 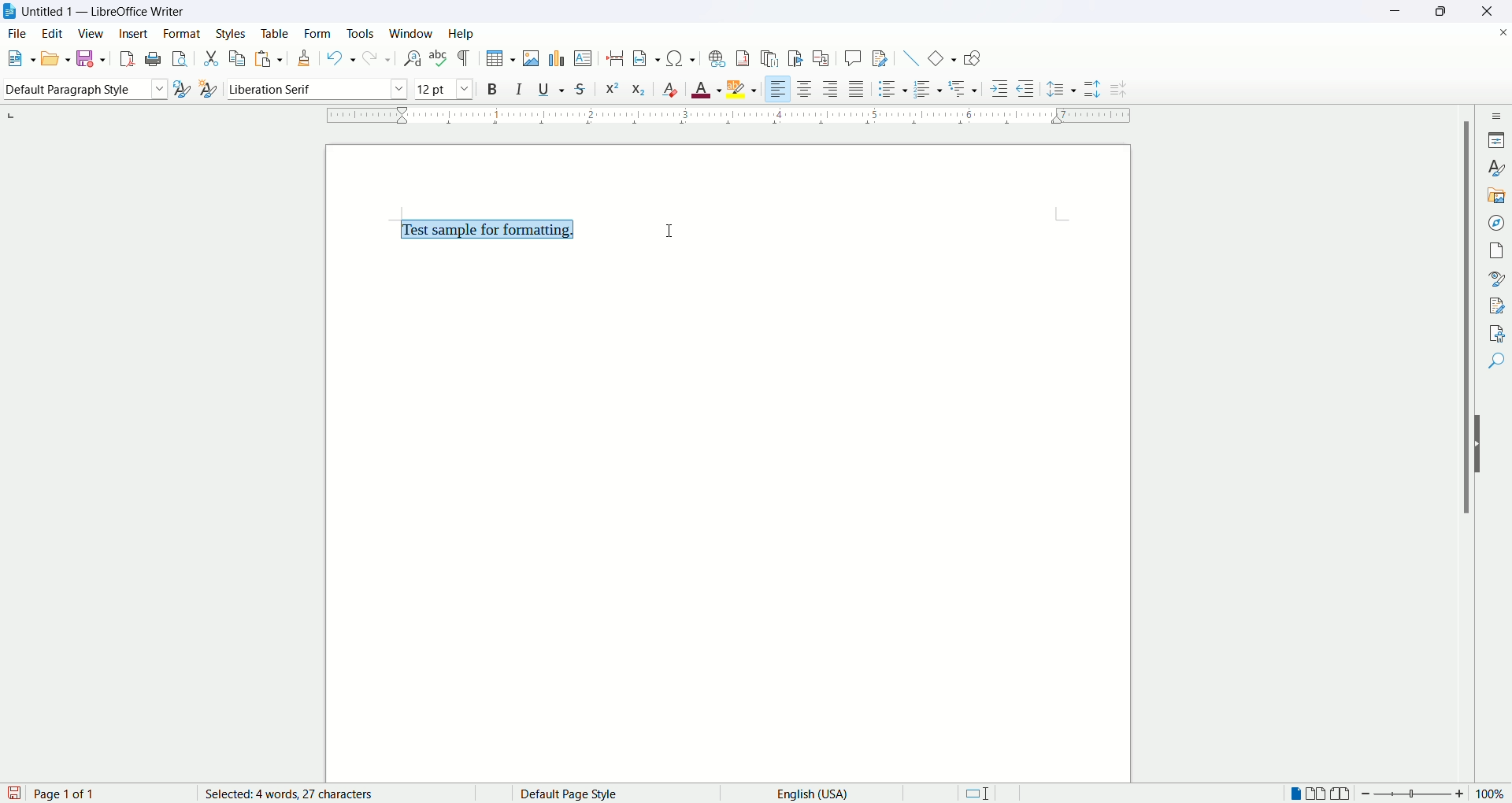 I want to click on font name, so click(x=317, y=89).